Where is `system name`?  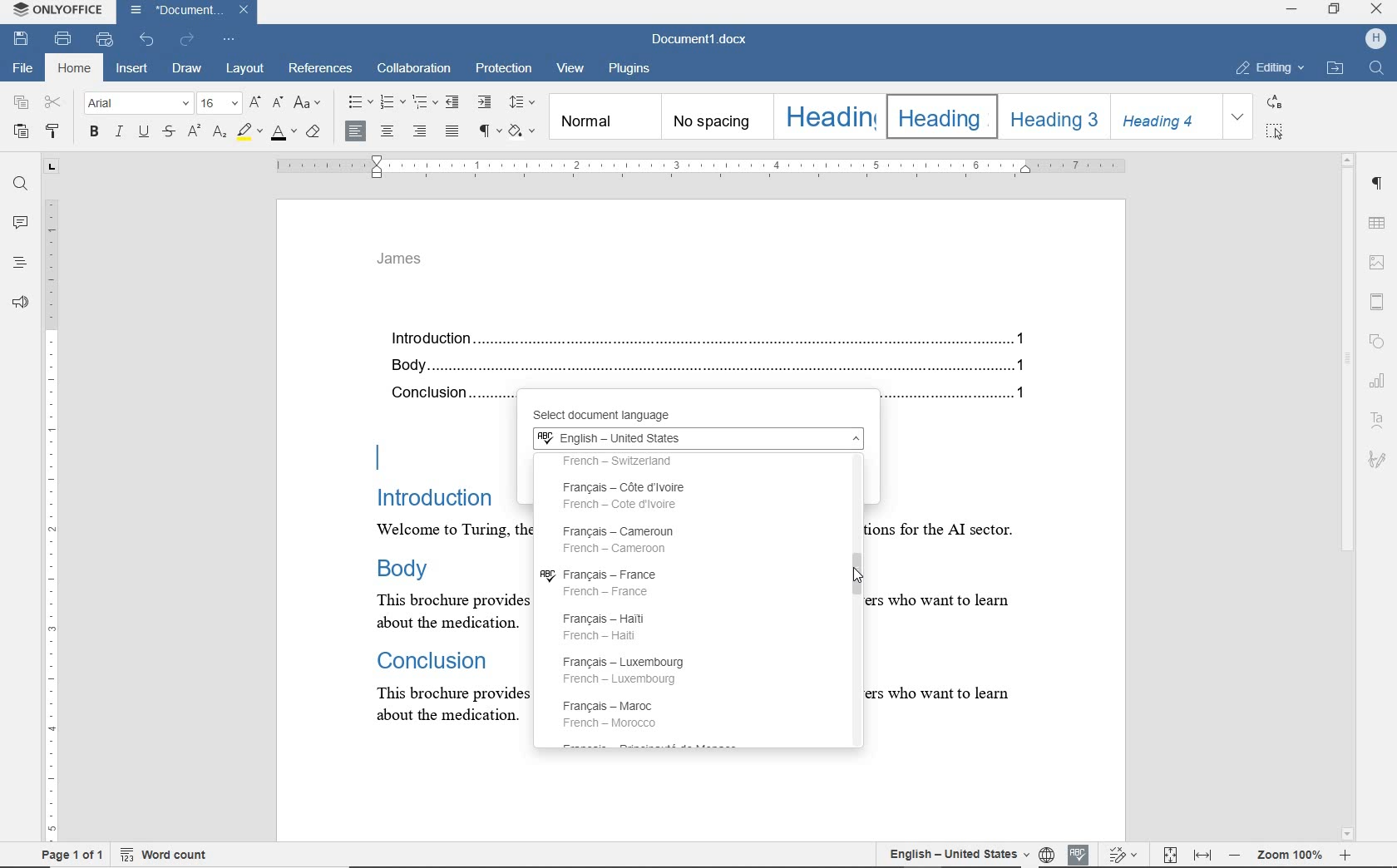 system name is located at coordinates (58, 12).